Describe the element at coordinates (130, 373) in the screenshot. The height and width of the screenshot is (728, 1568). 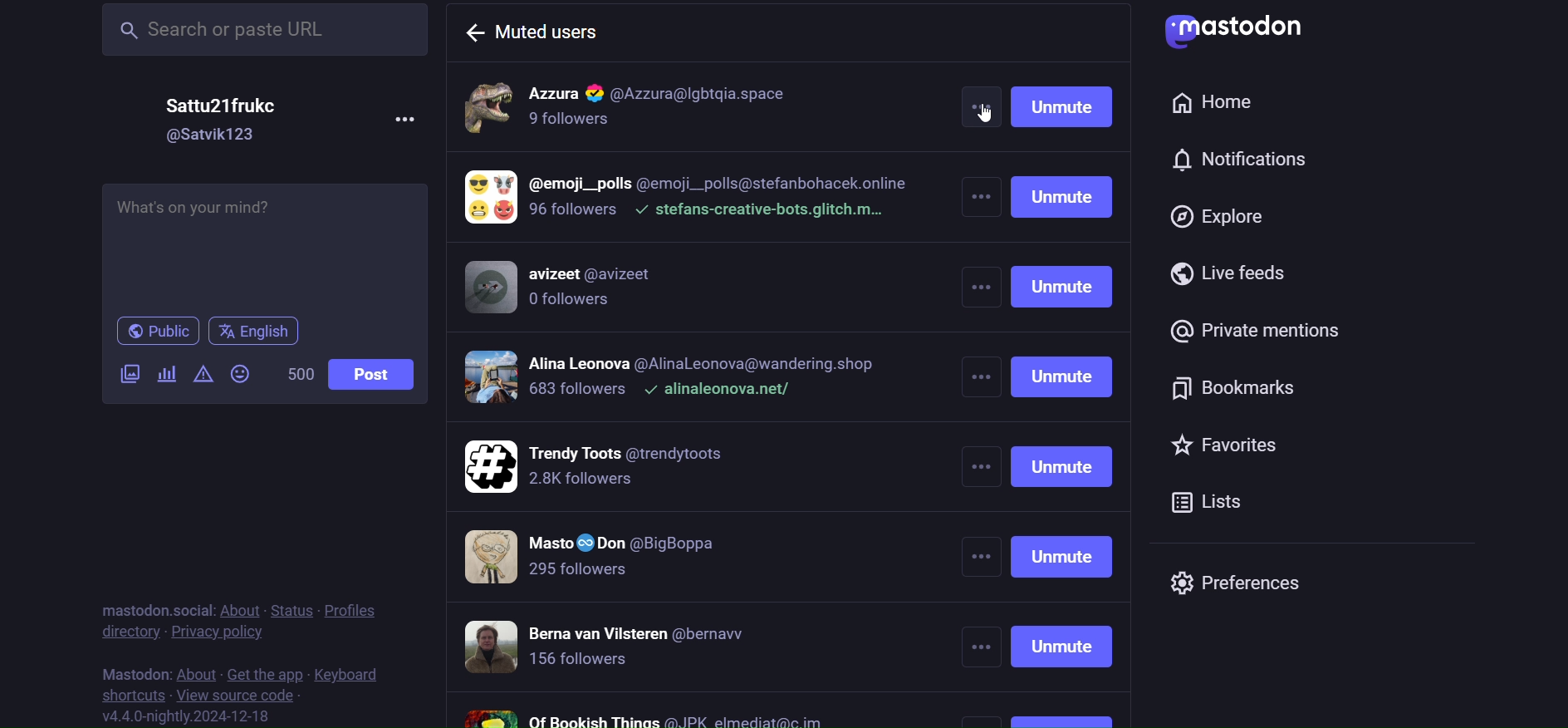
I see `image/video` at that location.